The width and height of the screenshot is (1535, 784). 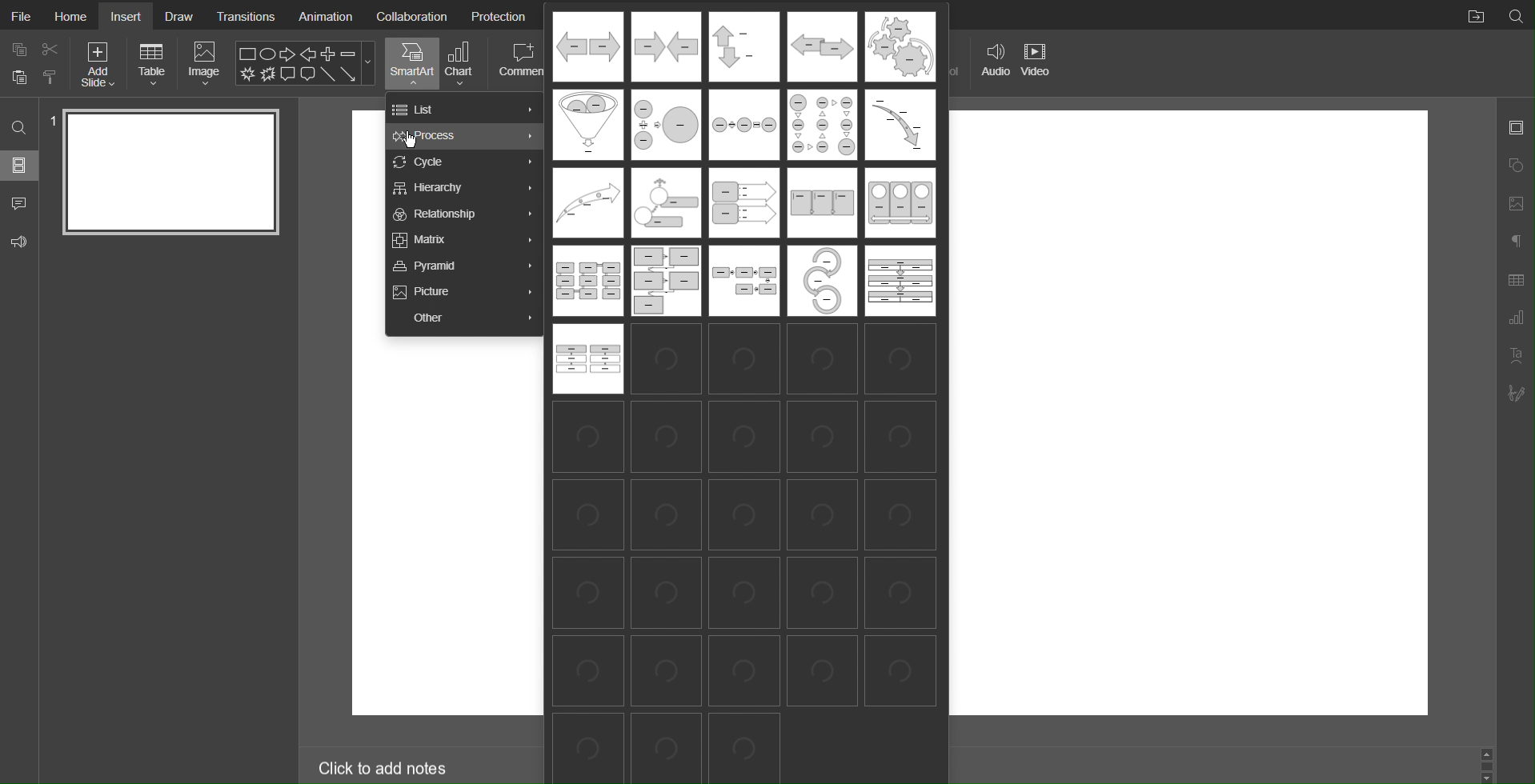 What do you see at coordinates (173, 173) in the screenshot?
I see `Slide 1` at bounding box center [173, 173].